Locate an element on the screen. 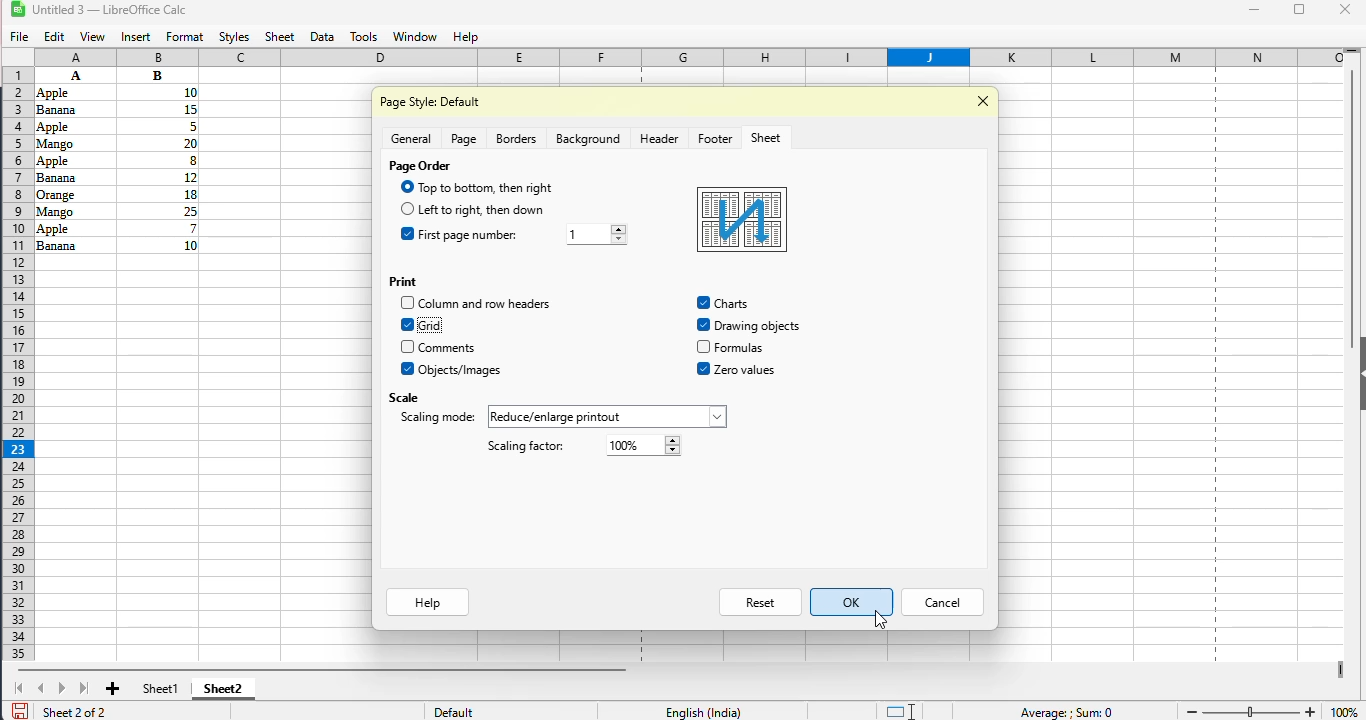 Image resolution: width=1366 pixels, height=720 pixels. sheet 2 of 2 is located at coordinates (73, 711).